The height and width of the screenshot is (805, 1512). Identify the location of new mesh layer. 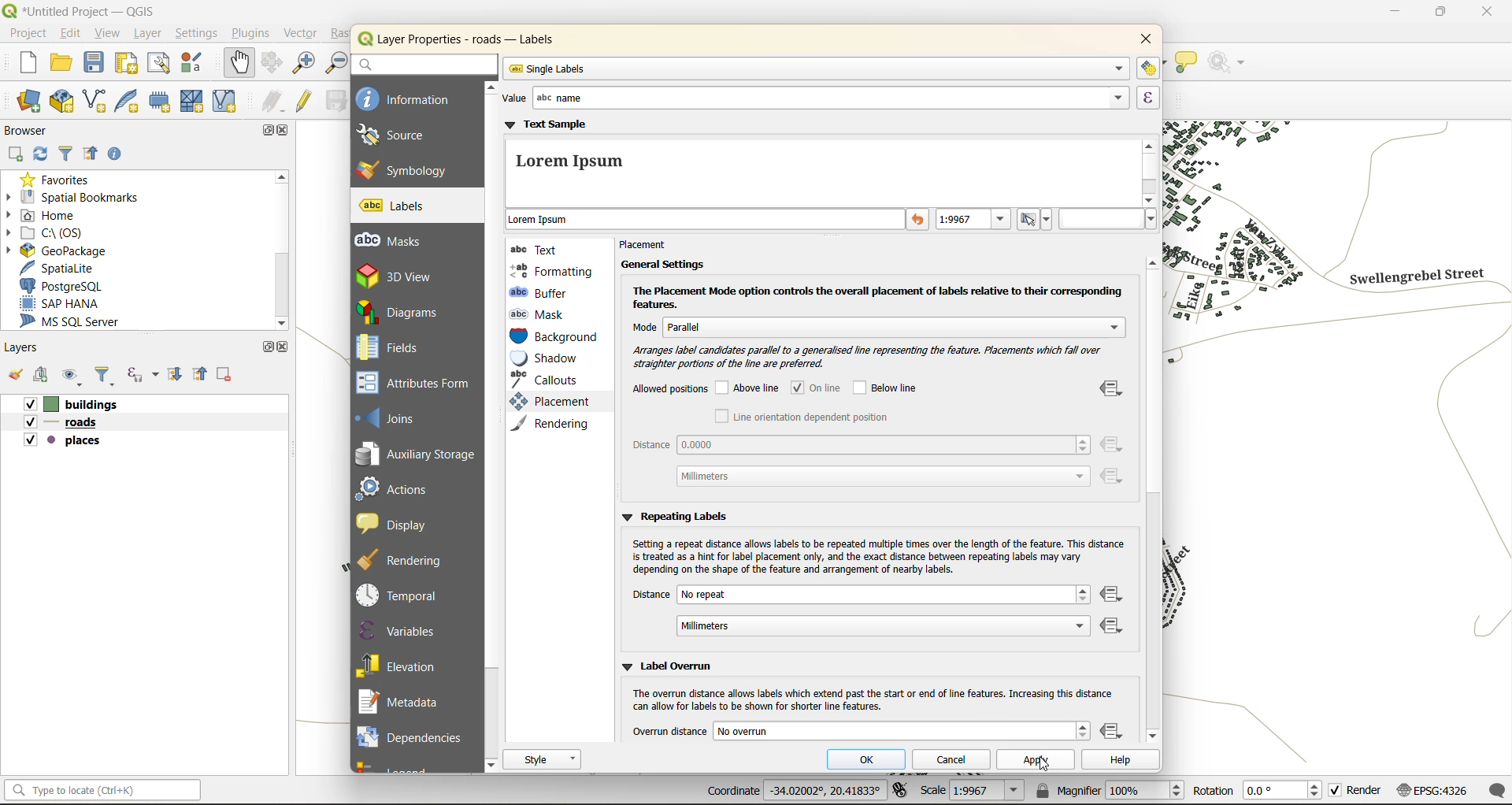
(190, 102).